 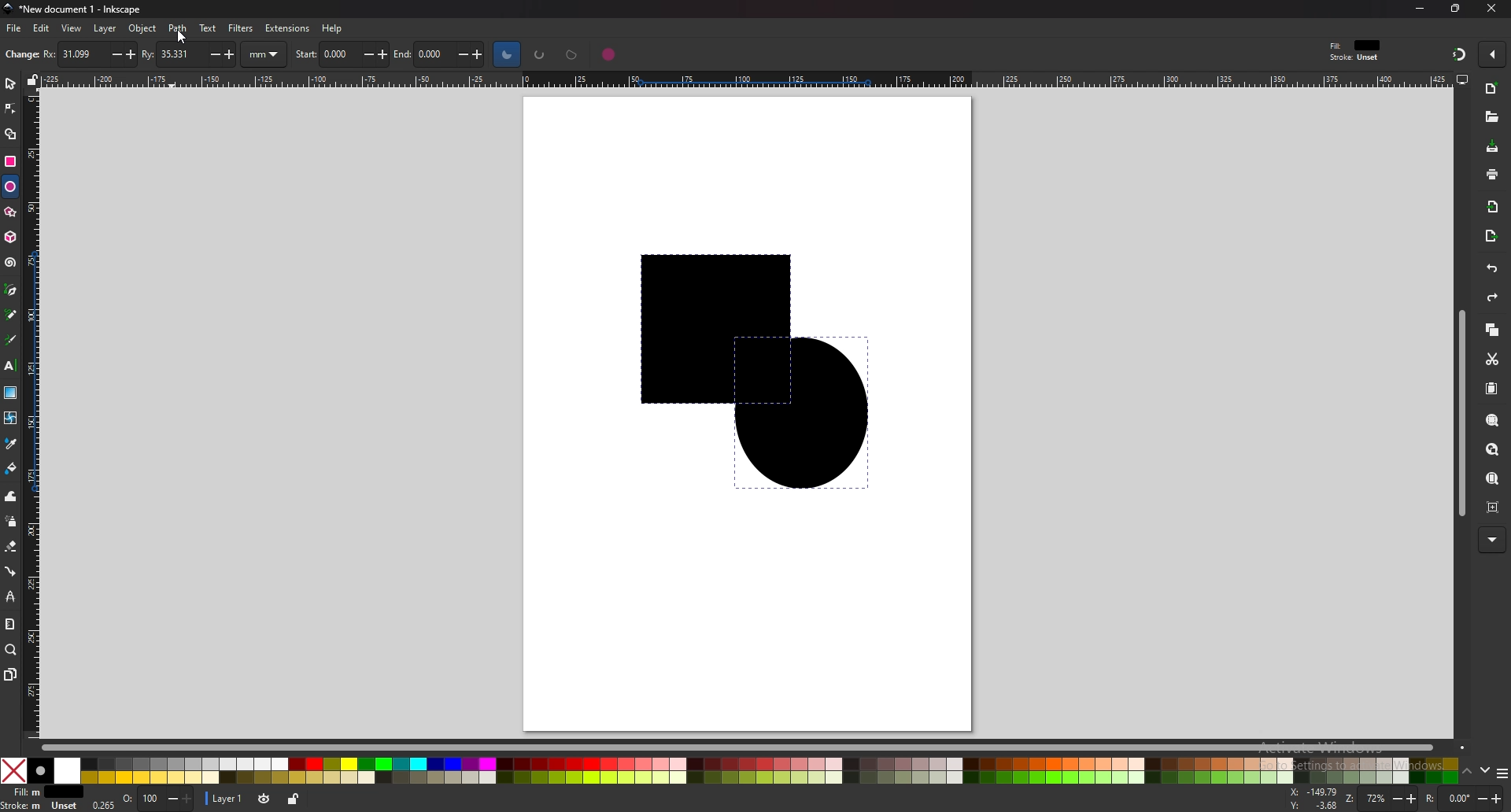 What do you see at coordinates (9, 674) in the screenshot?
I see `pages` at bounding box center [9, 674].